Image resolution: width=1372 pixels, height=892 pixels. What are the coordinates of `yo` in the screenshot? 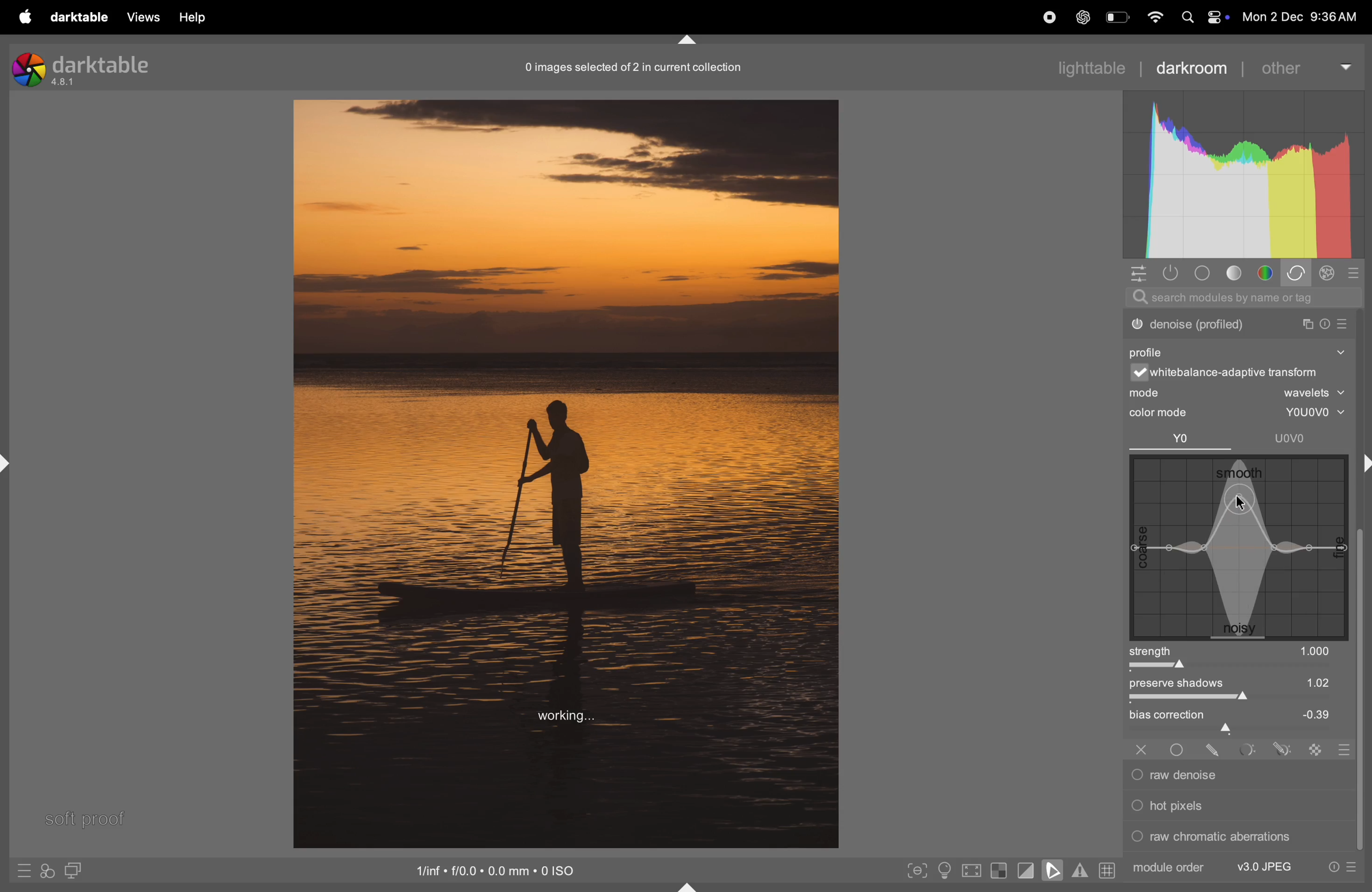 It's located at (1182, 440).